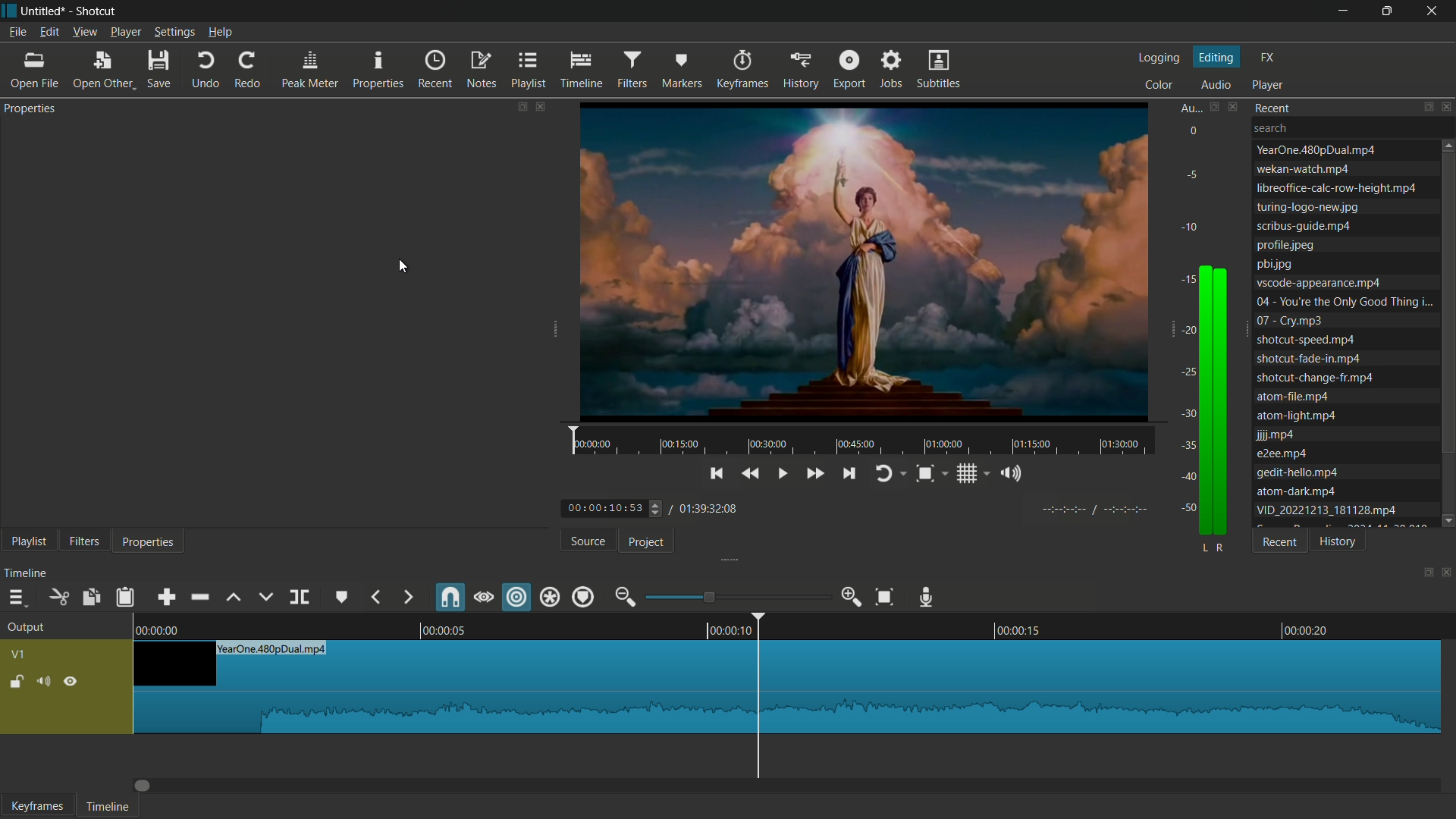 This screenshot has height=819, width=1456. Describe the element at coordinates (1307, 208) in the screenshot. I see `file-4` at that location.